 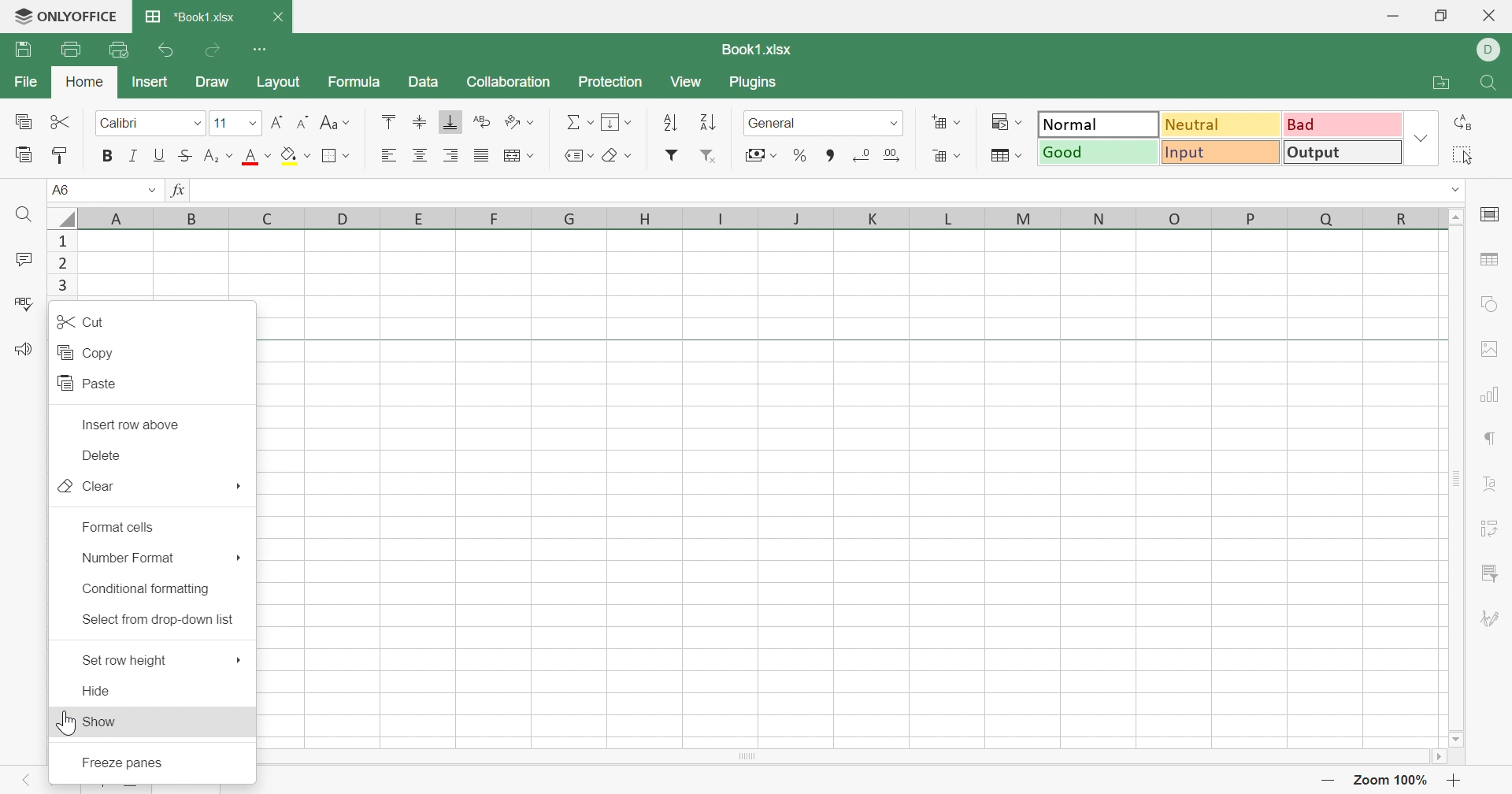 I want to click on Home, so click(x=88, y=82).